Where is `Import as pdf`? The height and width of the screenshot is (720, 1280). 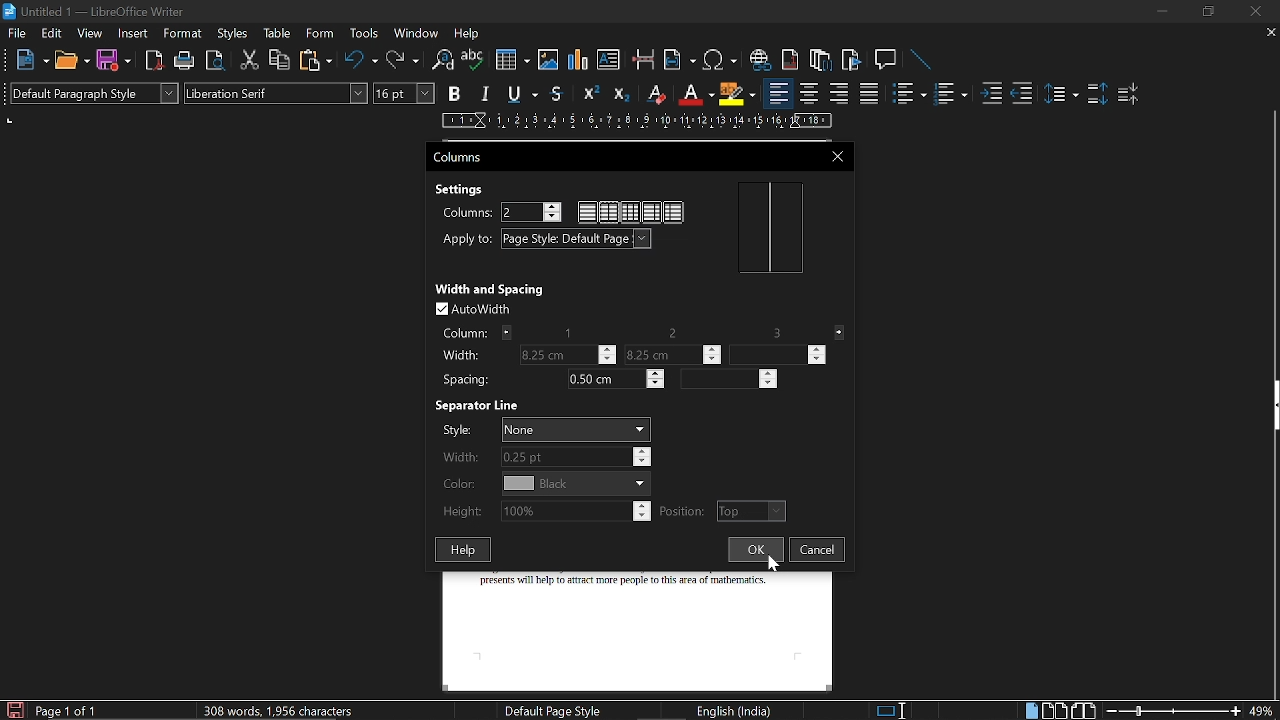
Import as pdf is located at coordinates (154, 62).